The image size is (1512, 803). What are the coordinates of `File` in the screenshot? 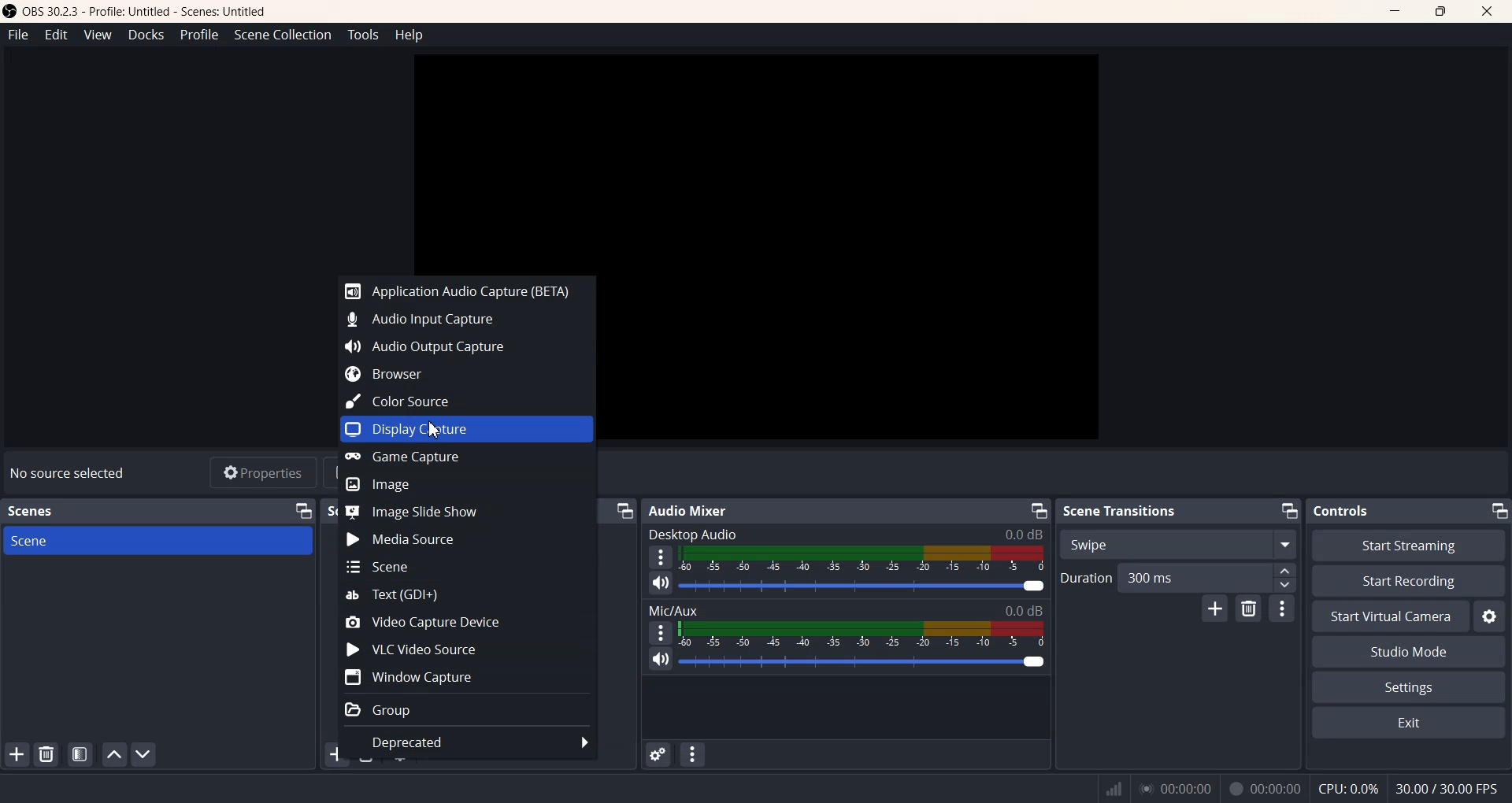 It's located at (17, 34).